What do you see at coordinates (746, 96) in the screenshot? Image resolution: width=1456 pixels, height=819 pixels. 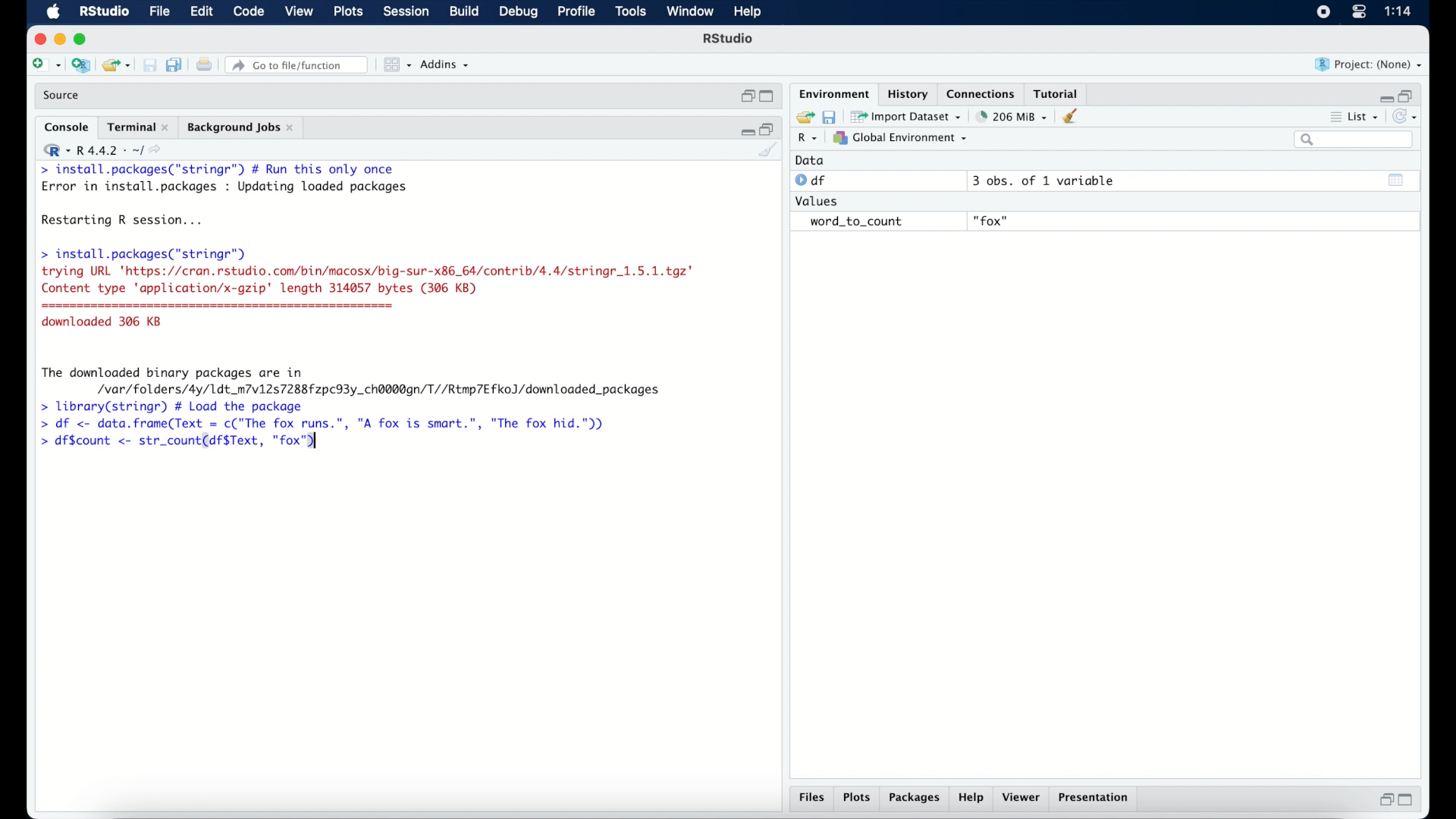 I see `restore down` at bounding box center [746, 96].